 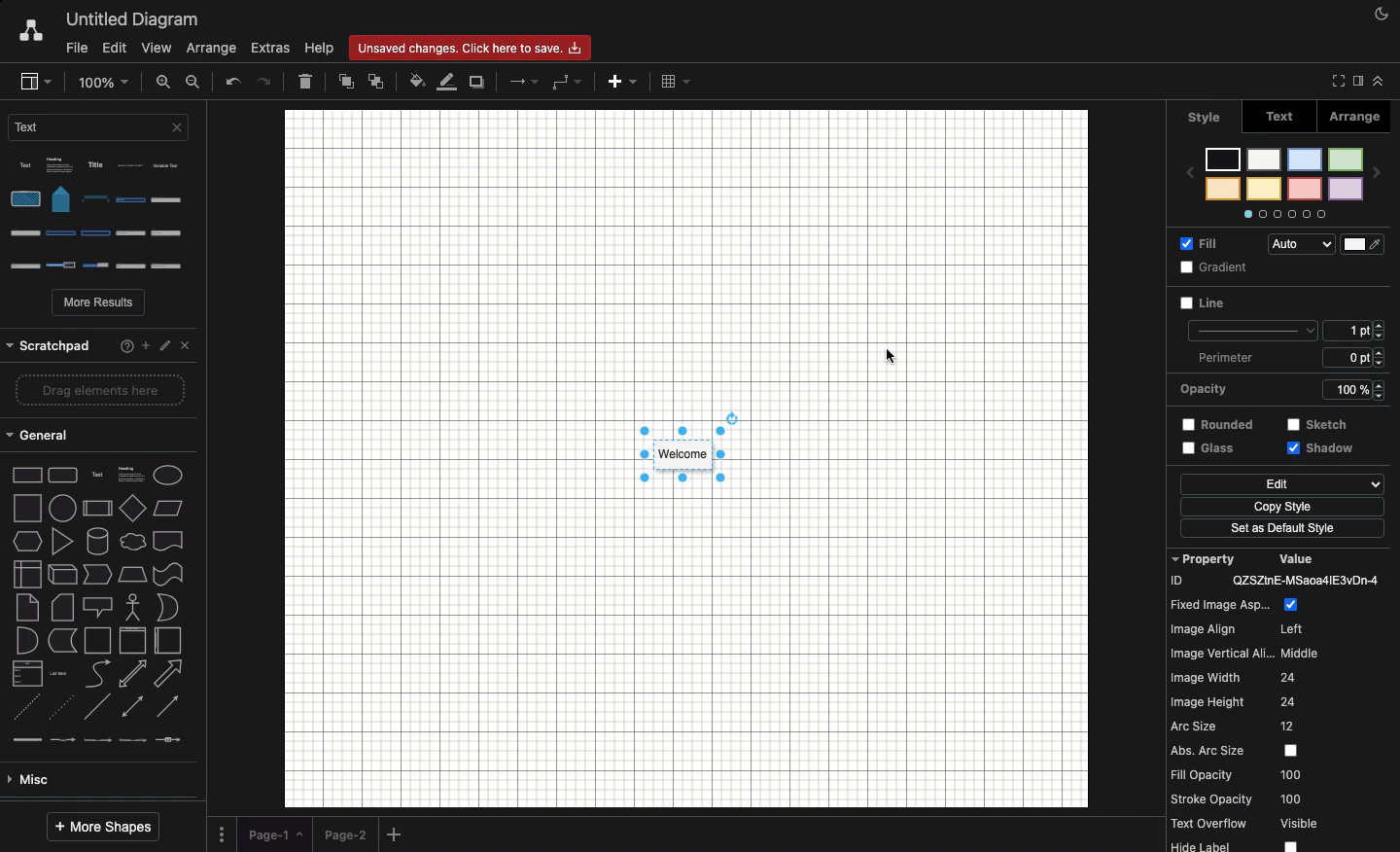 What do you see at coordinates (684, 455) in the screenshot?
I see `Style selected` at bounding box center [684, 455].